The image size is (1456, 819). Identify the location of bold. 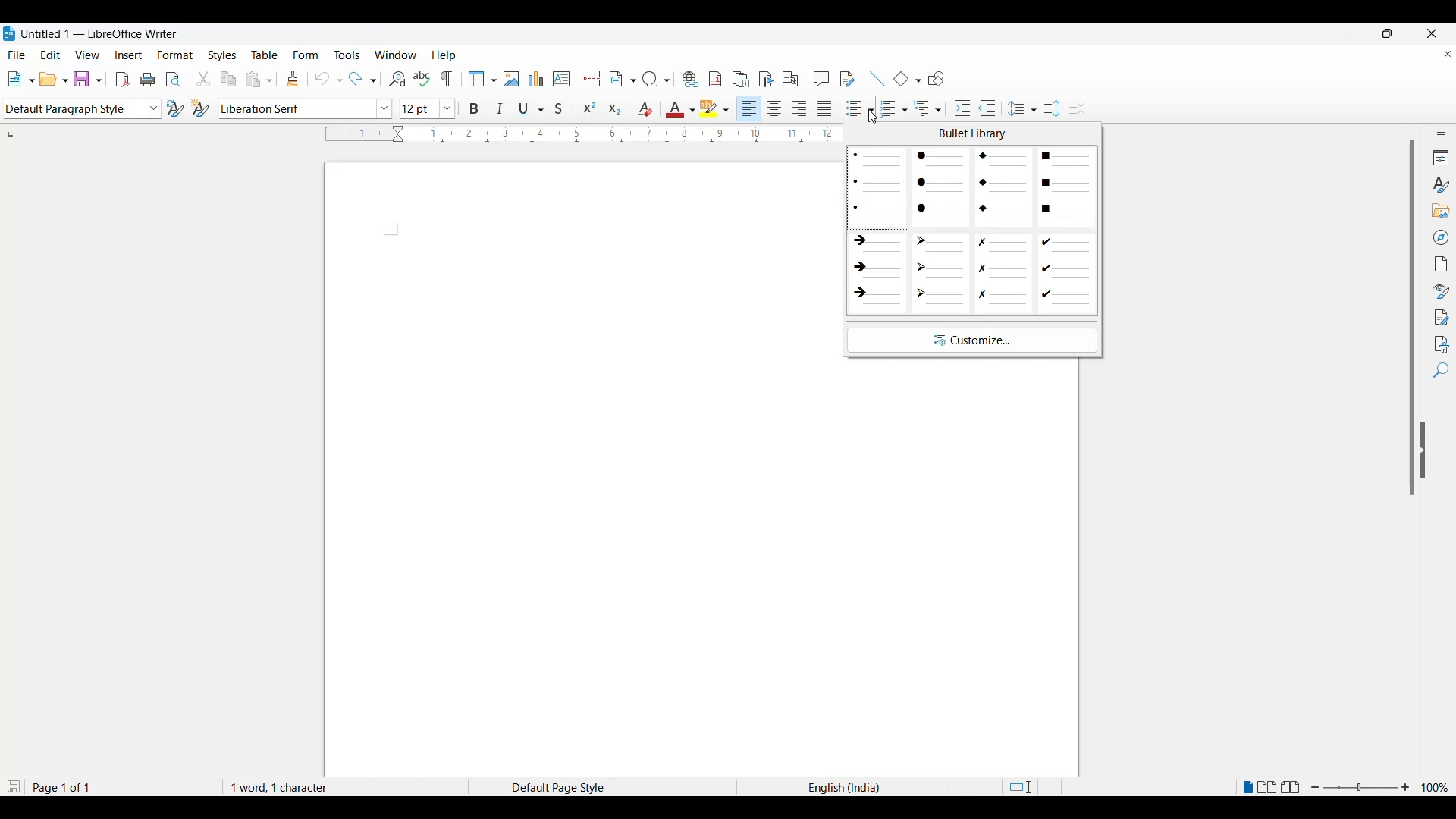
(474, 108).